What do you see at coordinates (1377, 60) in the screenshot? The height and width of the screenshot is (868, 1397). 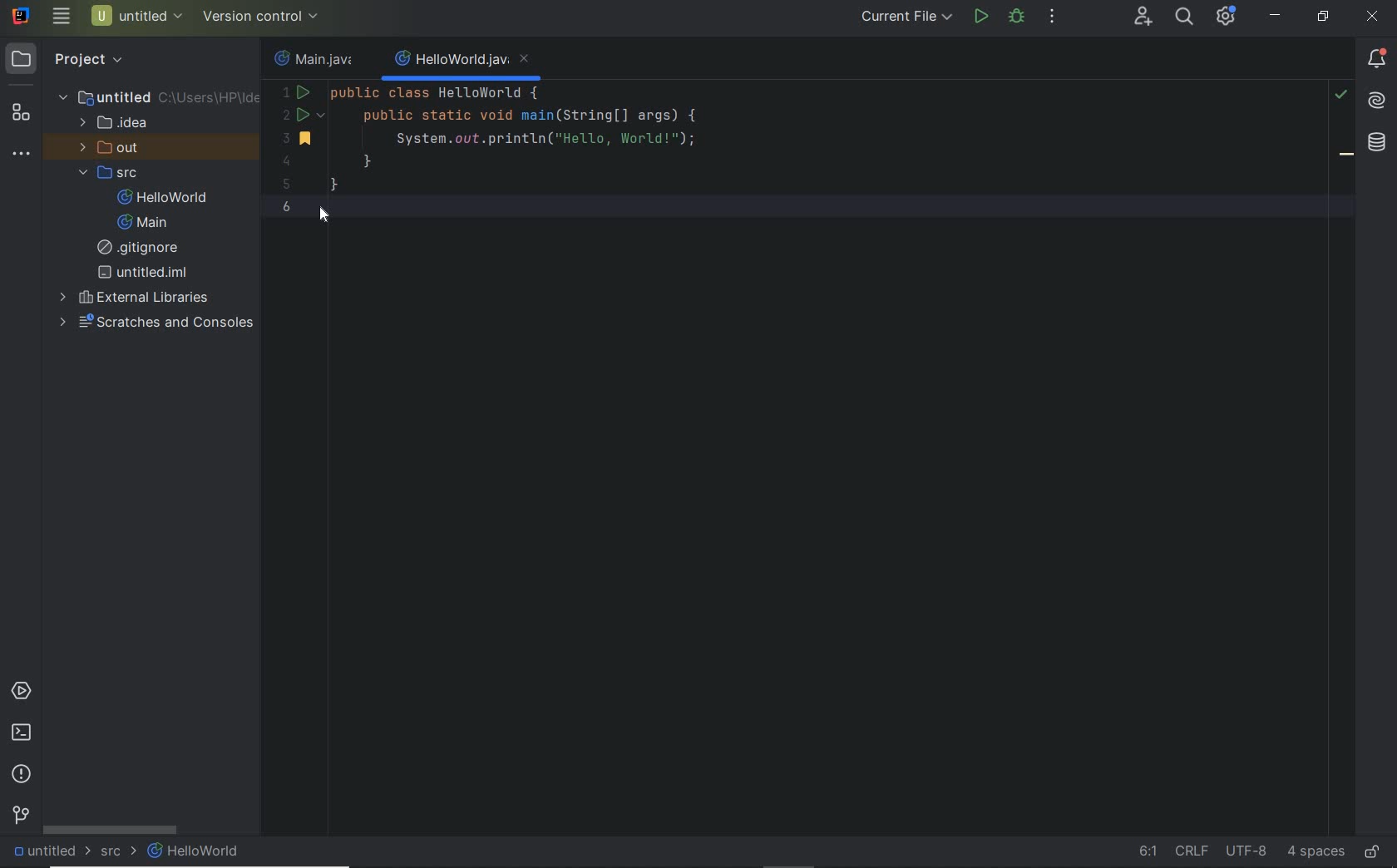 I see `Notifications` at bounding box center [1377, 60].